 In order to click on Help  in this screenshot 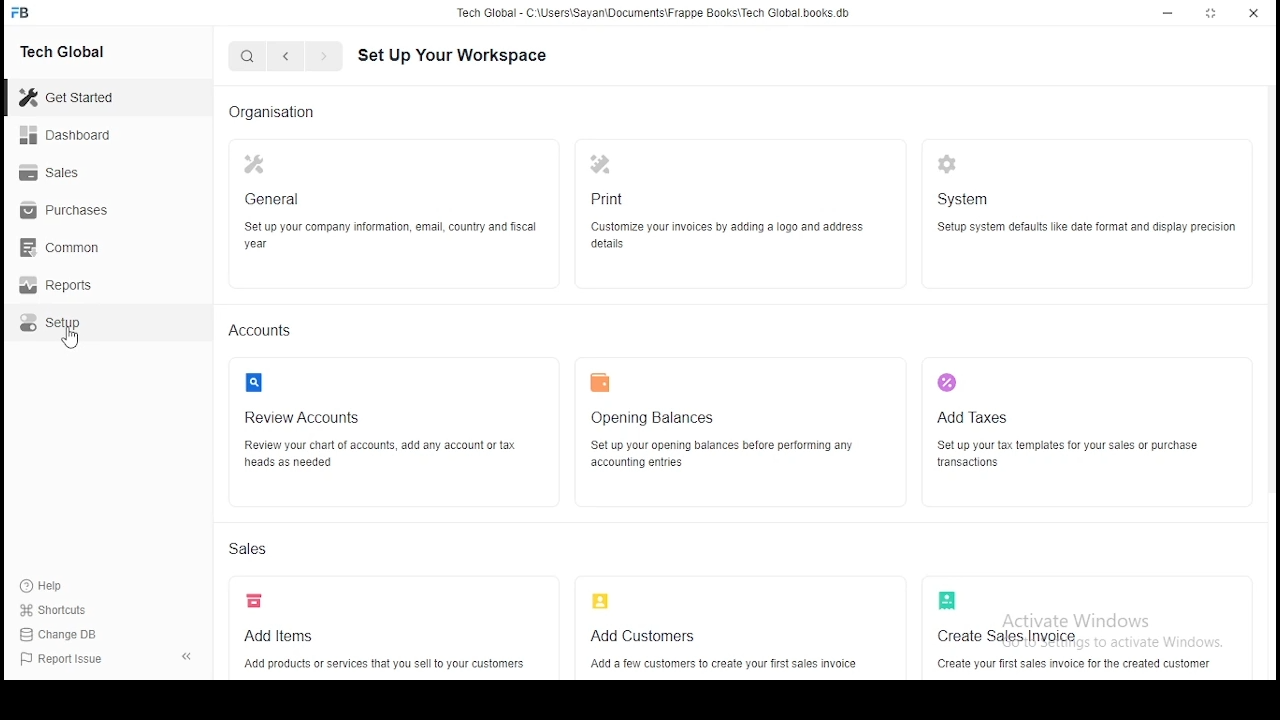, I will do `click(41, 586)`.